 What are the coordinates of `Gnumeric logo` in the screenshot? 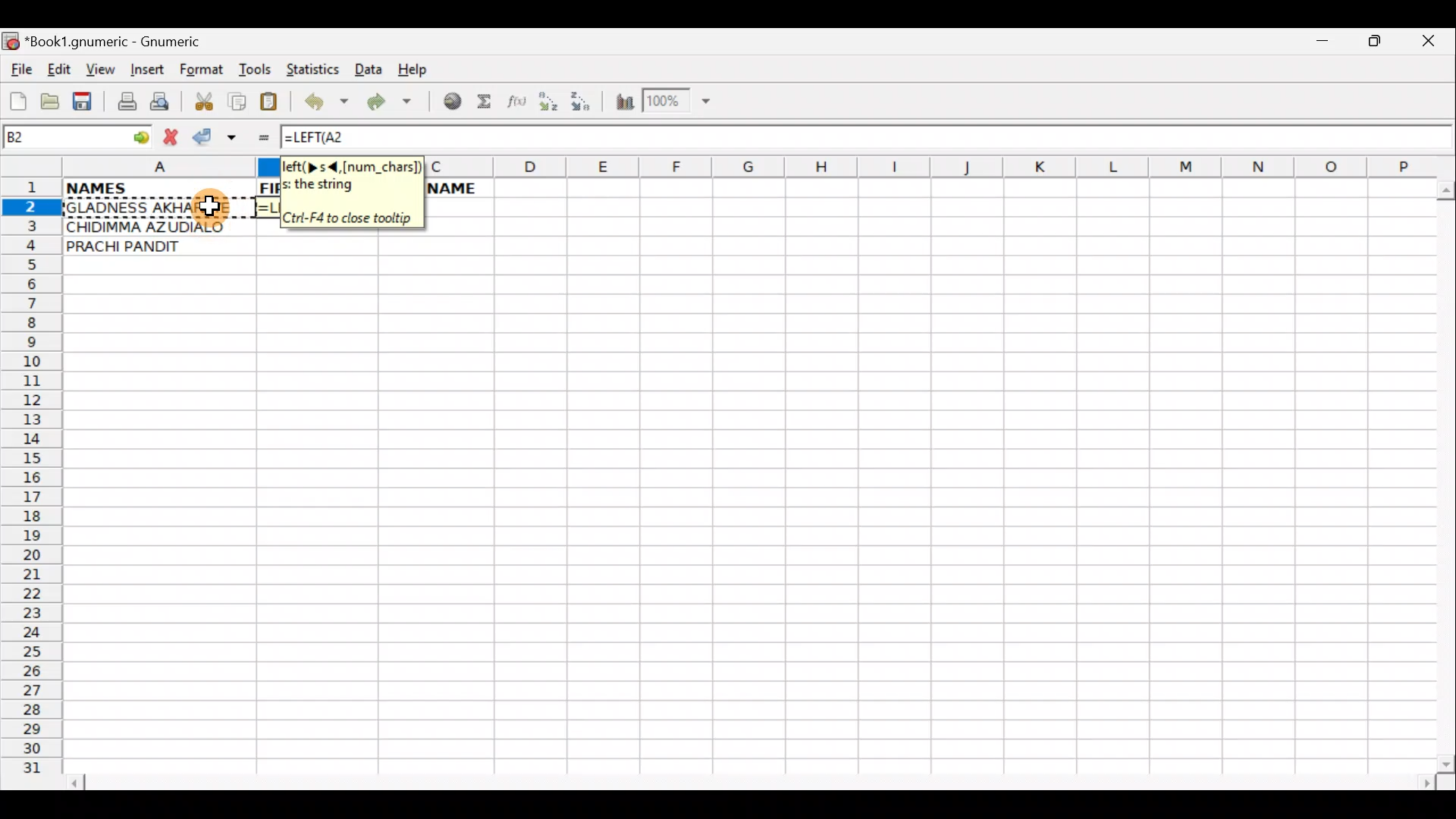 It's located at (11, 42).